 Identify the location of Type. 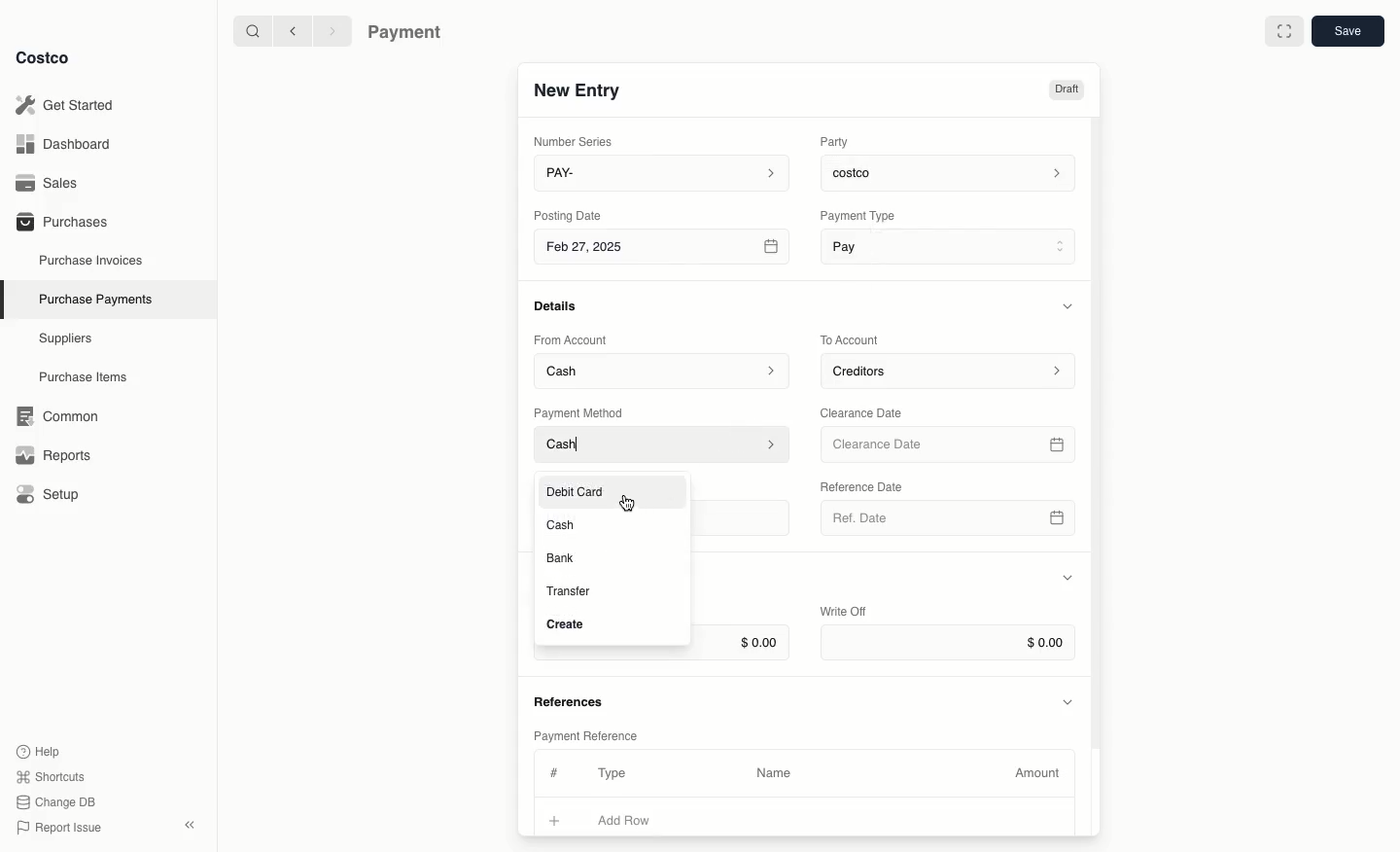
(616, 773).